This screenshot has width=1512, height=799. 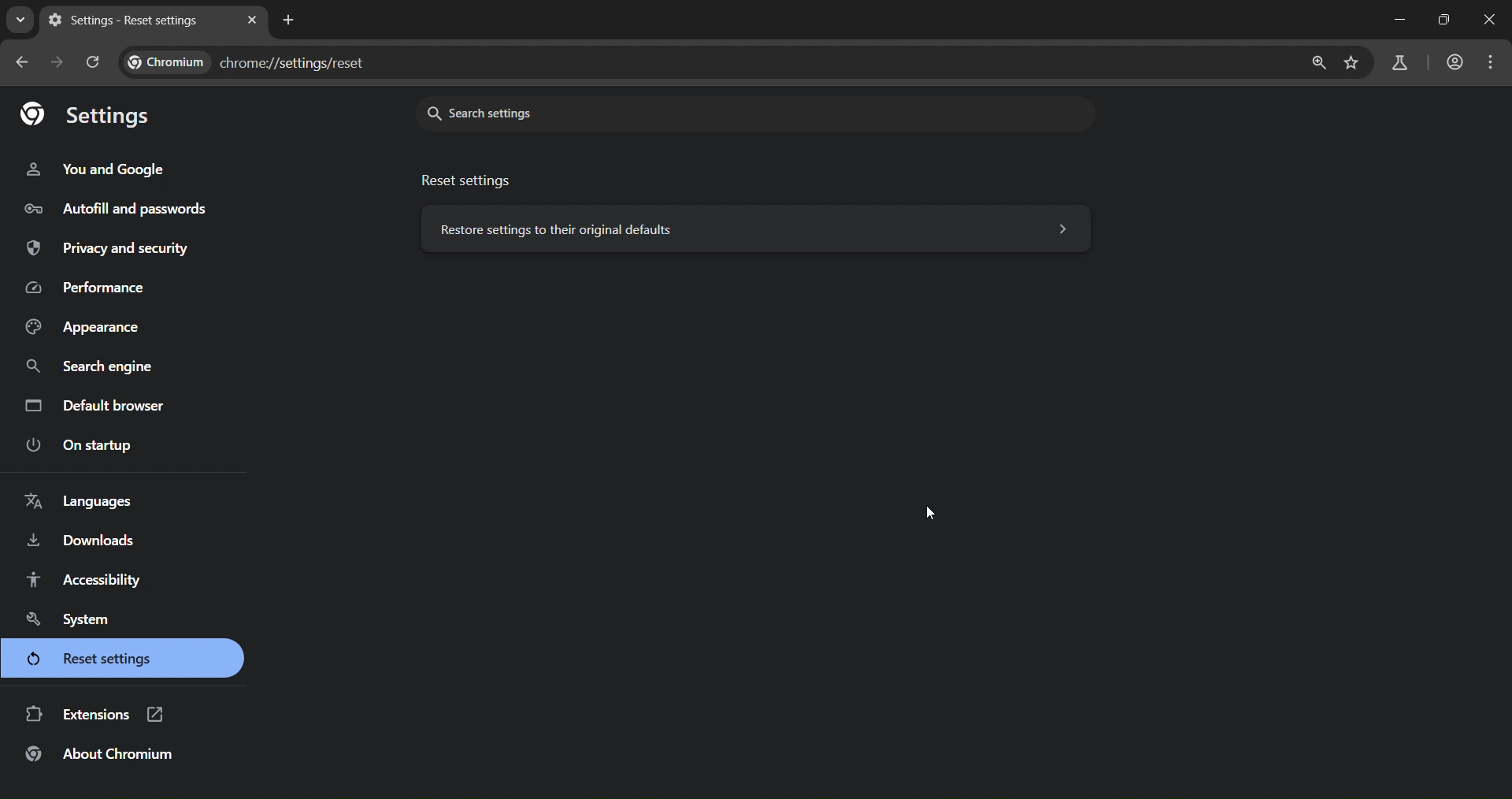 I want to click on default browser, so click(x=103, y=407).